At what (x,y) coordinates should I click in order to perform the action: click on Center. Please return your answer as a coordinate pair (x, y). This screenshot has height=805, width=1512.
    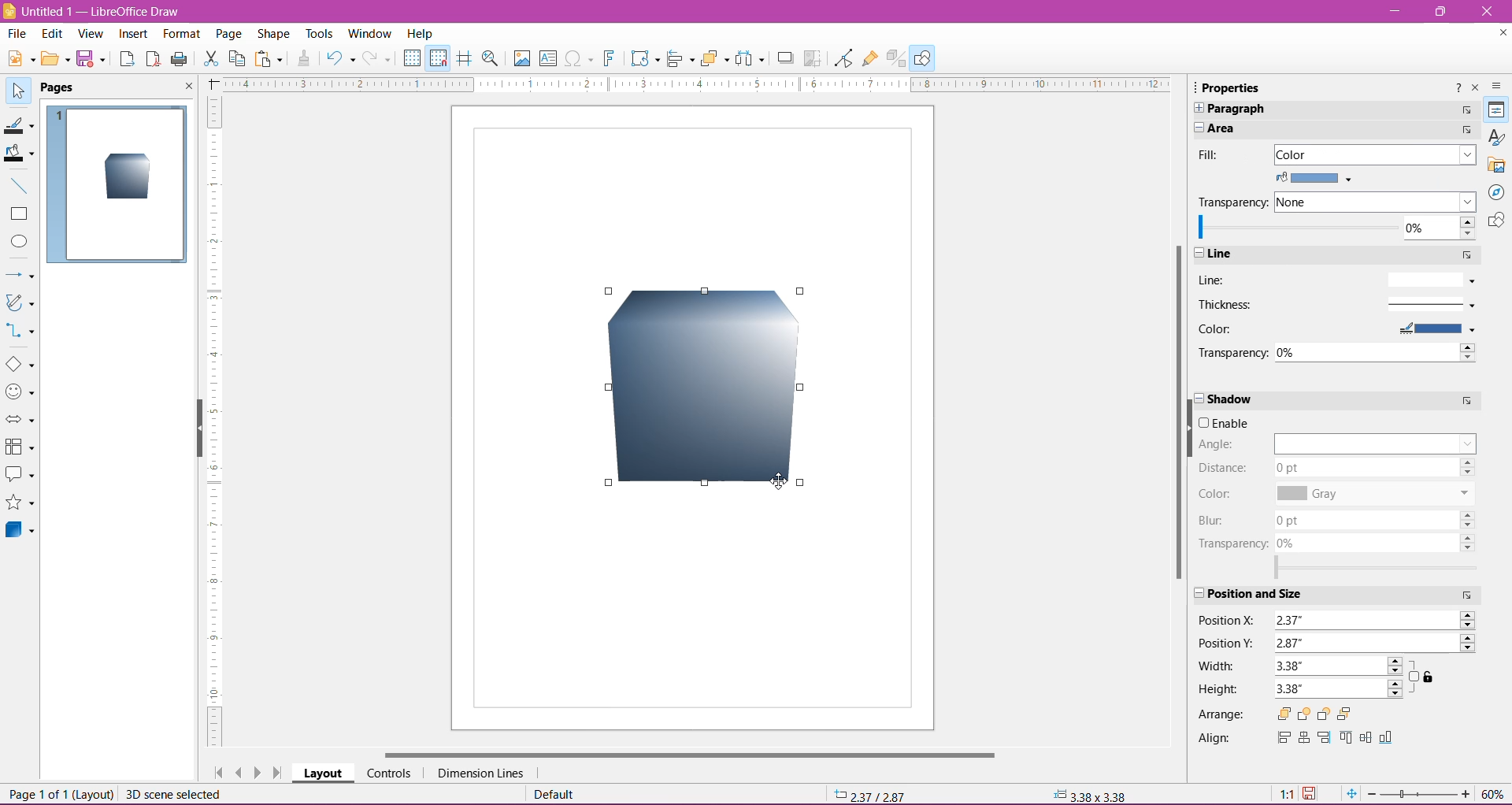
    Looking at the image, I should click on (1366, 738).